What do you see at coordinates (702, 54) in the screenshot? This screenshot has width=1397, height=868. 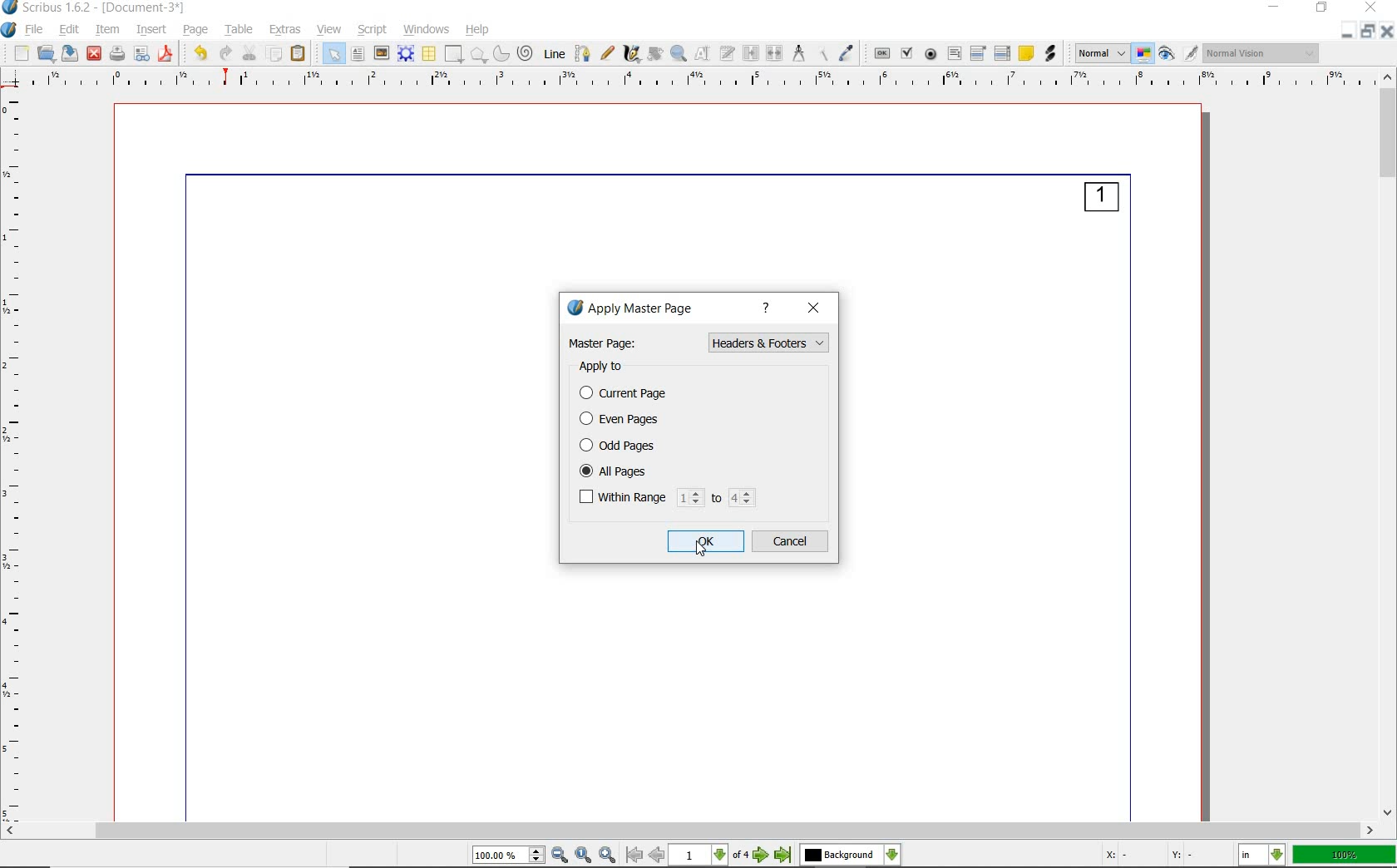 I see `edit contents of frame` at bounding box center [702, 54].